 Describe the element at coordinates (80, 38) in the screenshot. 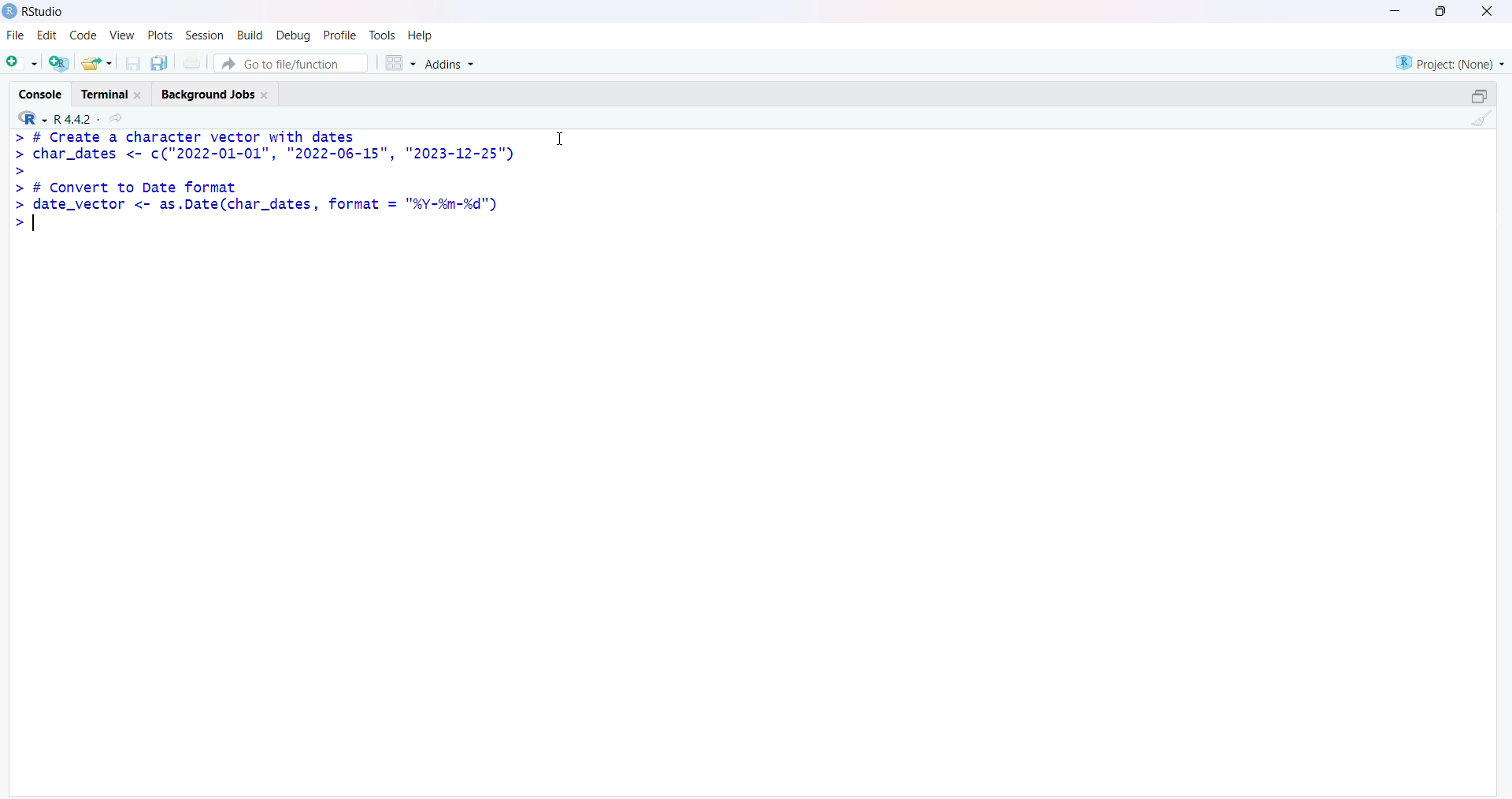

I see `Code` at that location.